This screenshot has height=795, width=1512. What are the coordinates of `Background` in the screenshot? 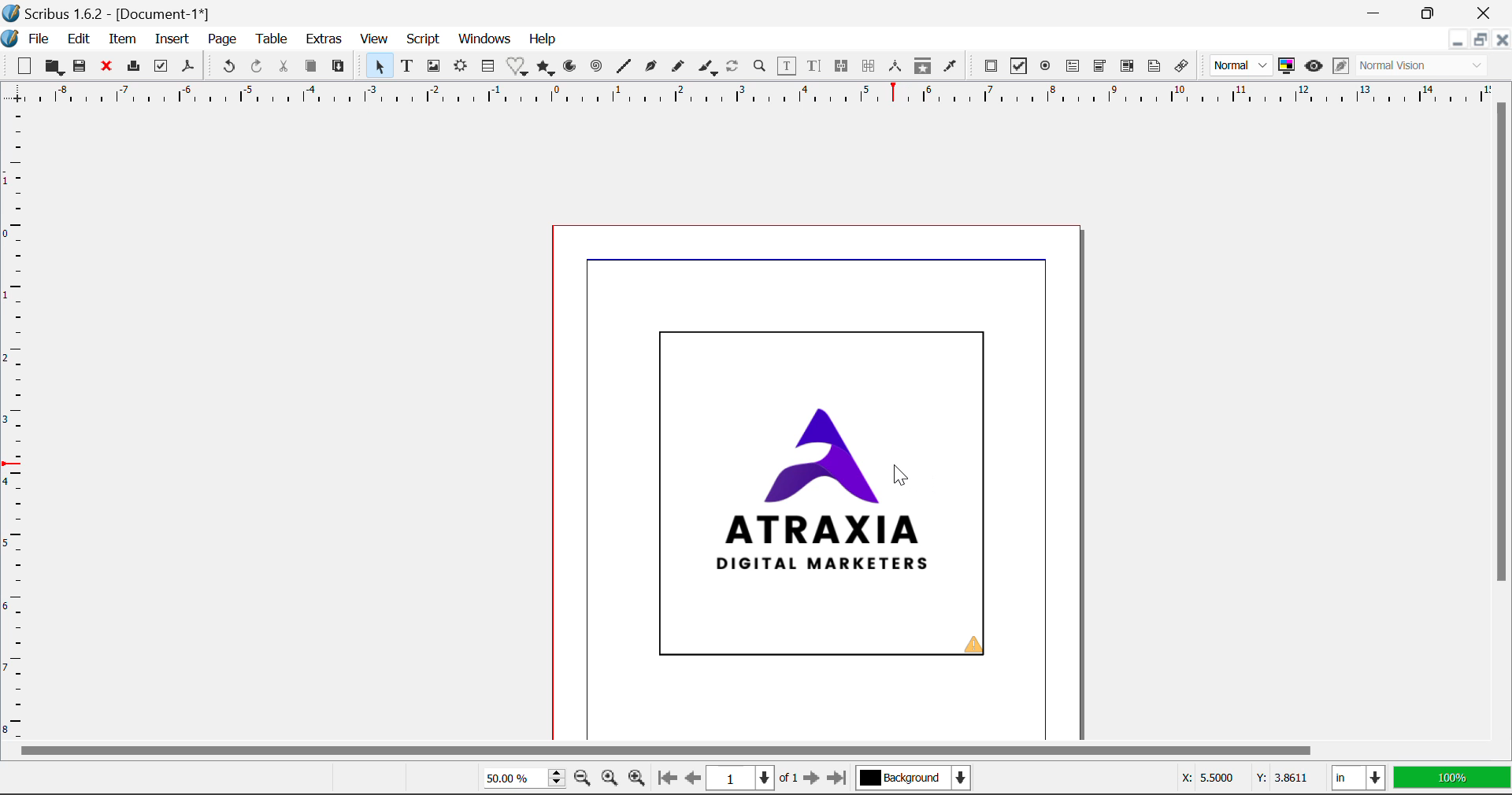 It's located at (917, 779).